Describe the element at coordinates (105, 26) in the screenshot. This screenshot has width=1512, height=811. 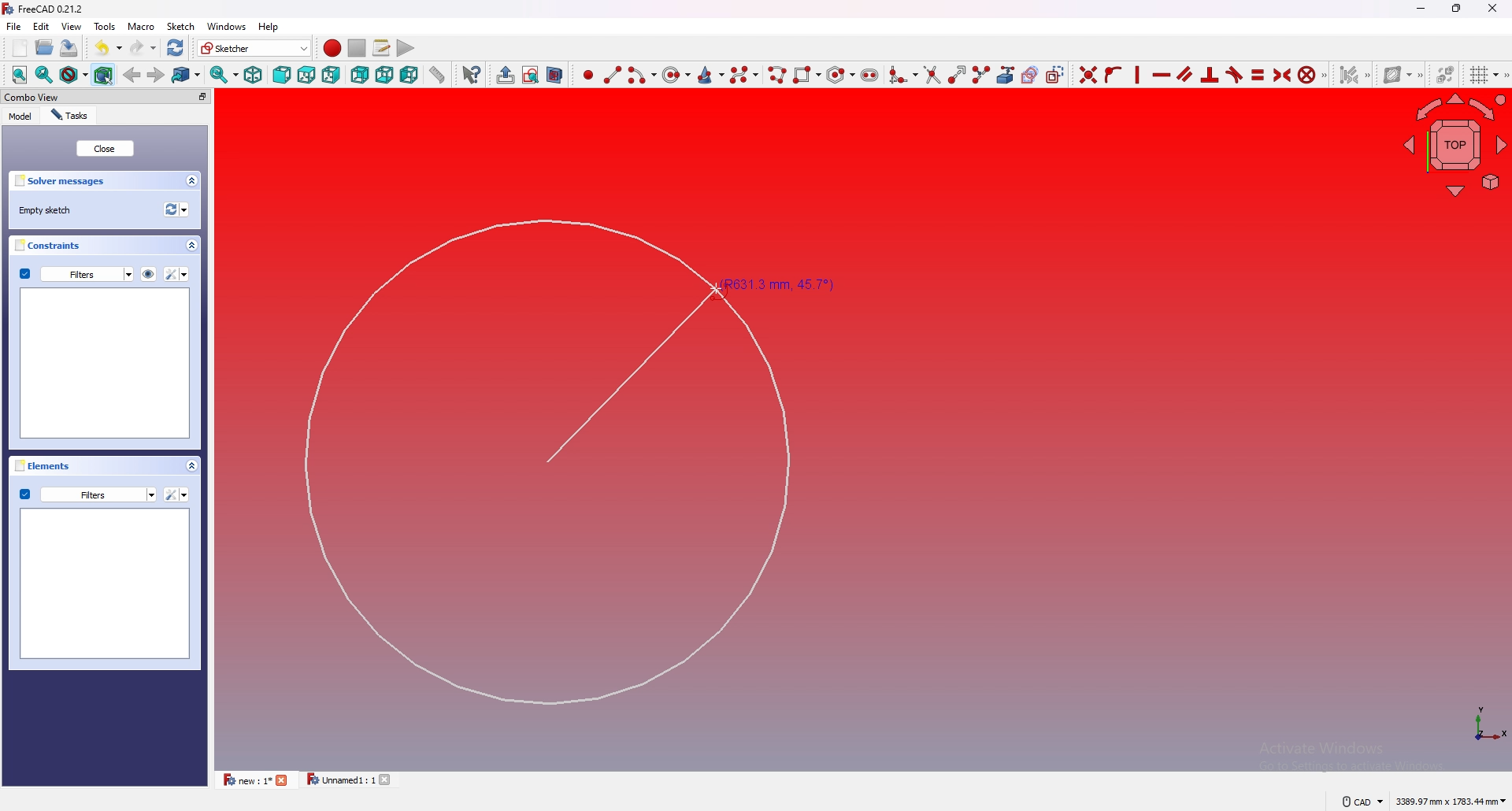
I see `tools` at that location.